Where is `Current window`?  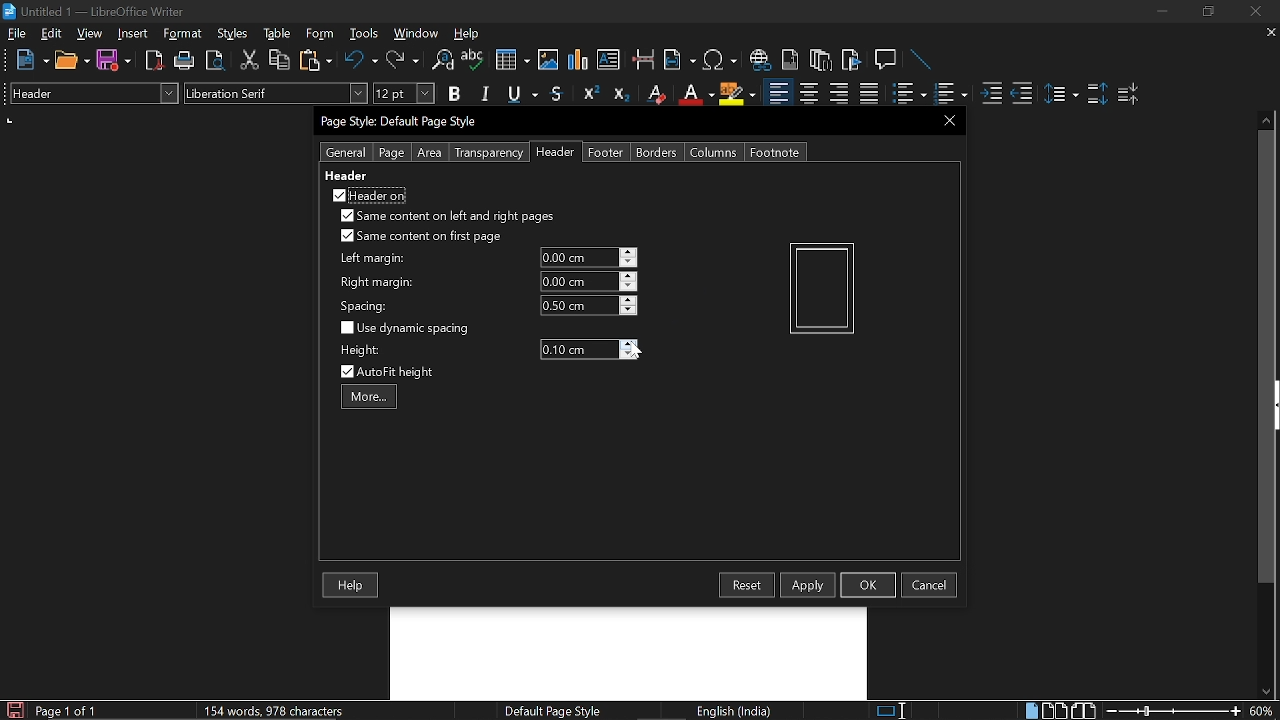 Current window is located at coordinates (402, 122).